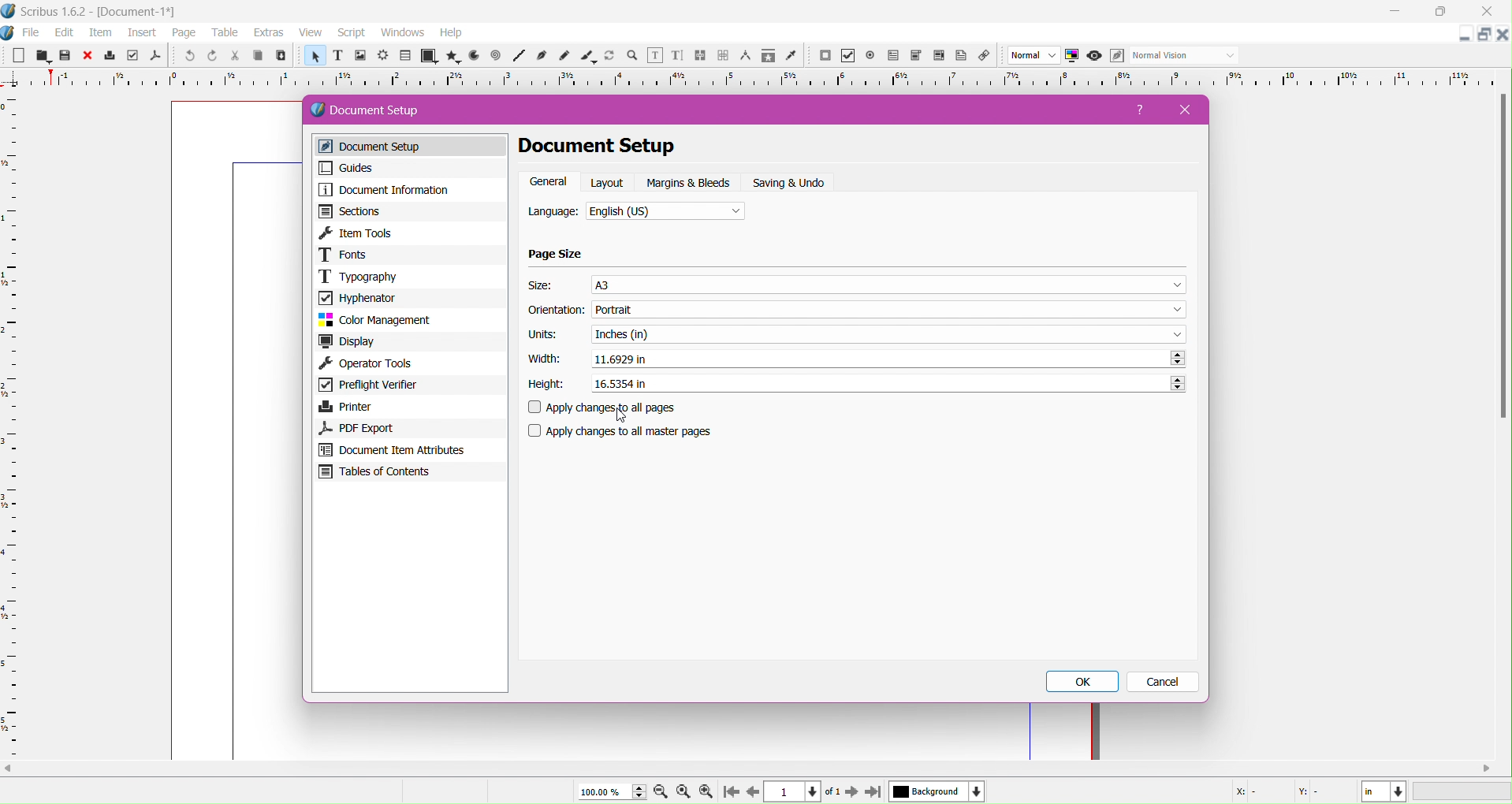 This screenshot has height=804, width=1512. I want to click on Color Management, so click(409, 320).